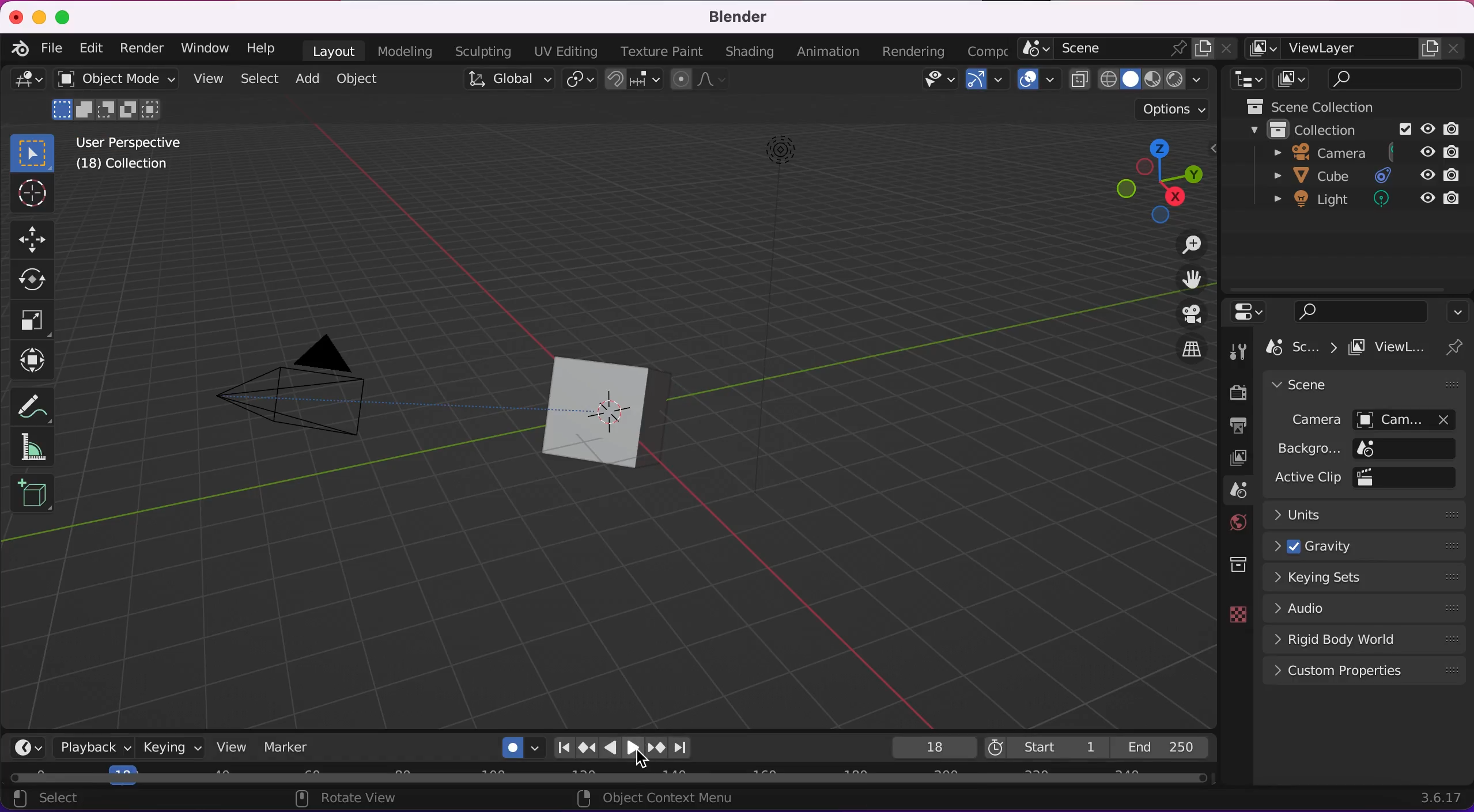  Describe the element at coordinates (31, 360) in the screenshot. I see `transform` at that location.